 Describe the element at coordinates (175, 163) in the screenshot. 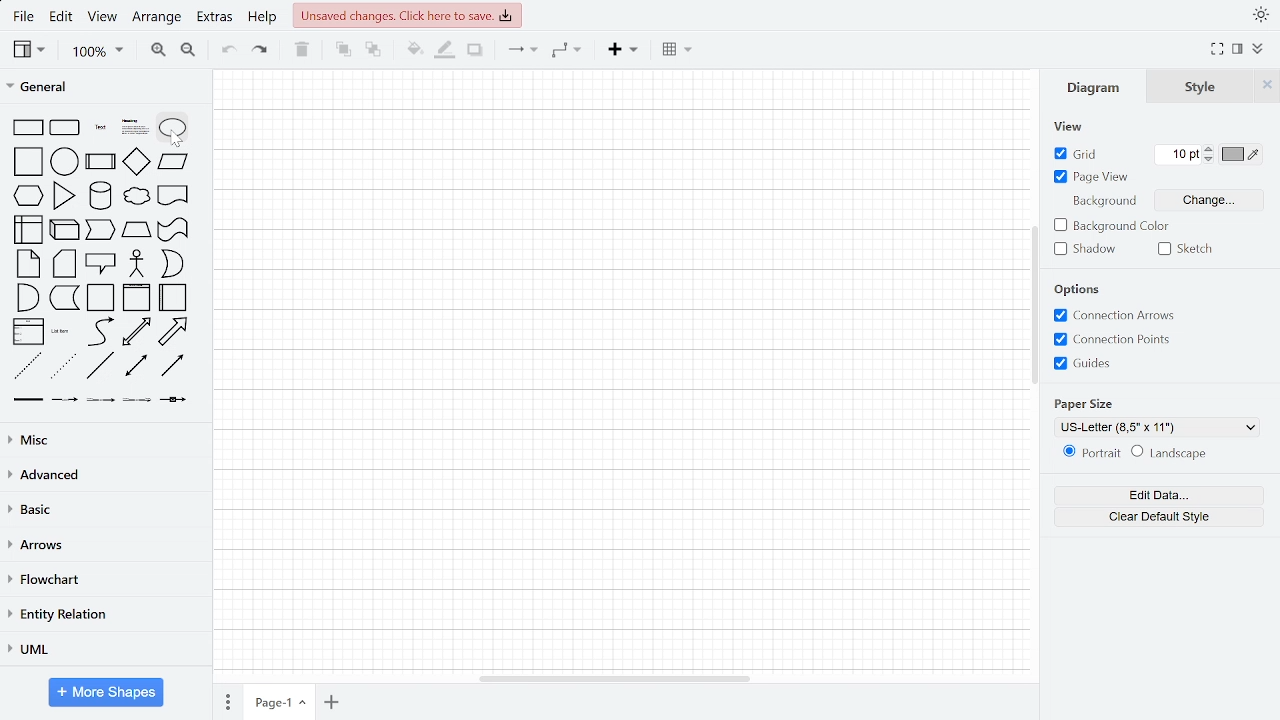

I see `parallelogram` at that location.